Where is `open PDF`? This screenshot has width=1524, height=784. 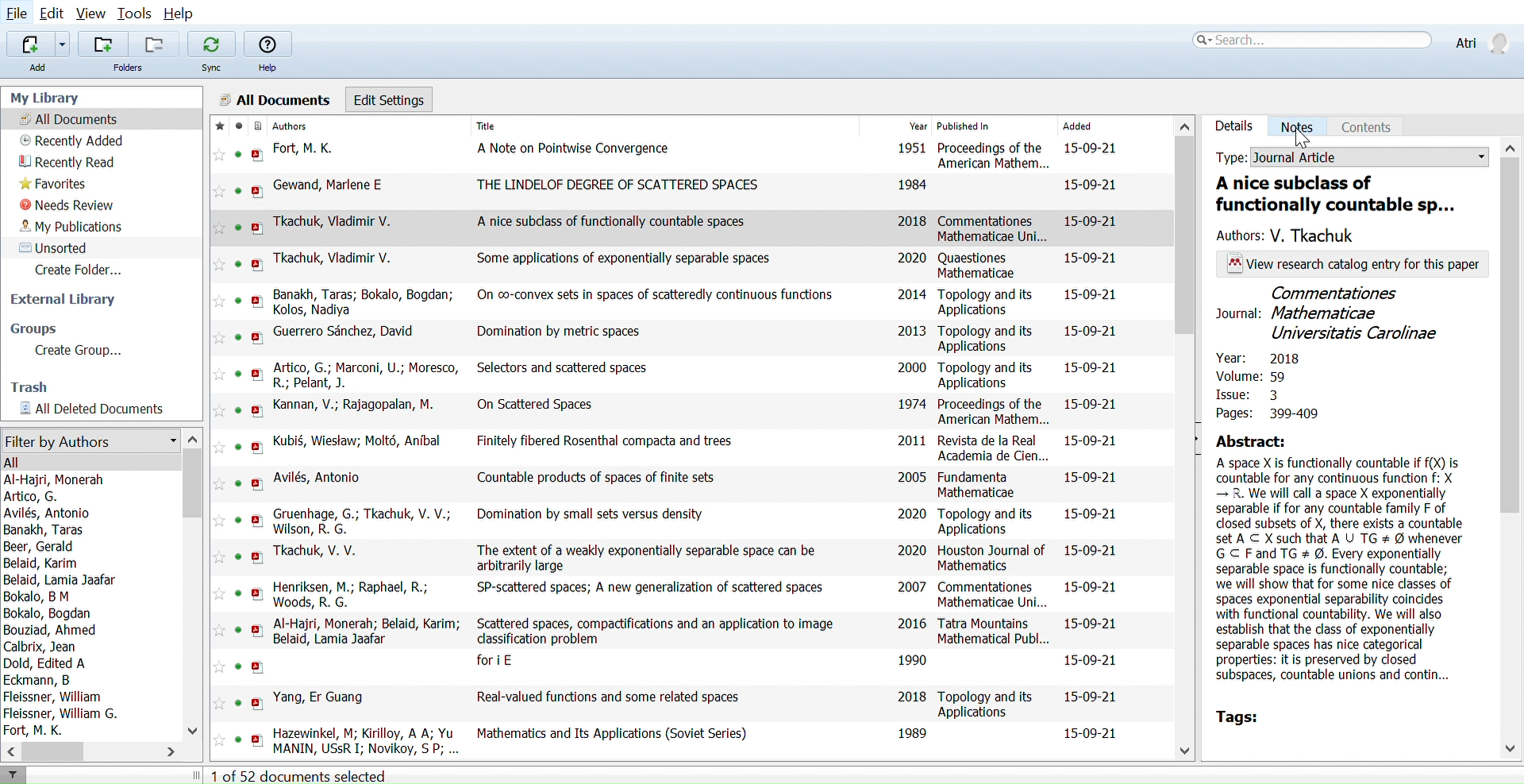
open PDF is located at coordinates (257, 375).